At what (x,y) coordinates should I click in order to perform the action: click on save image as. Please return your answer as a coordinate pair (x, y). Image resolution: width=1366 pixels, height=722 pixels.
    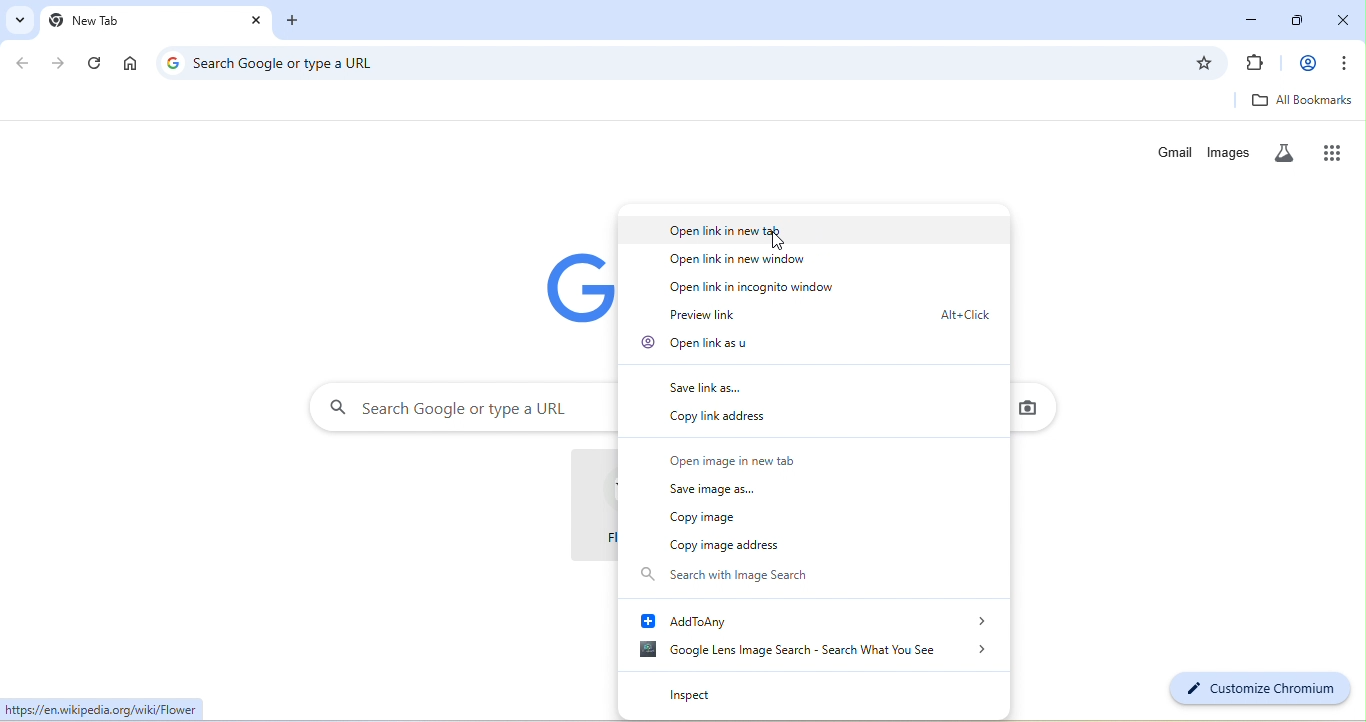
    Looking at the image, I should click on (713, 486).